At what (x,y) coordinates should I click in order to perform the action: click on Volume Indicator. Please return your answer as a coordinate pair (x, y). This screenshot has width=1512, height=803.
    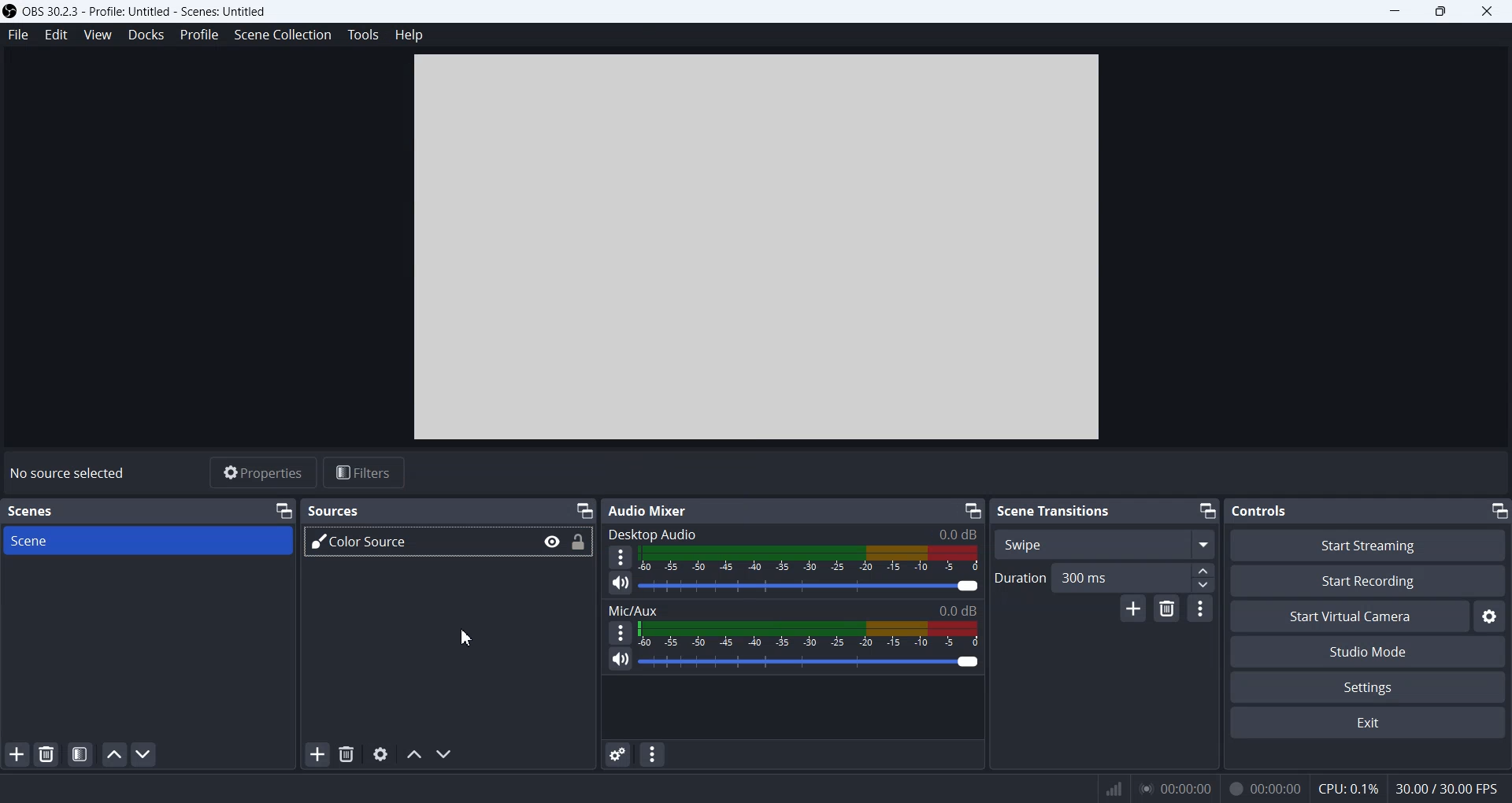
    Looking at the image, I should click on (812, 560).